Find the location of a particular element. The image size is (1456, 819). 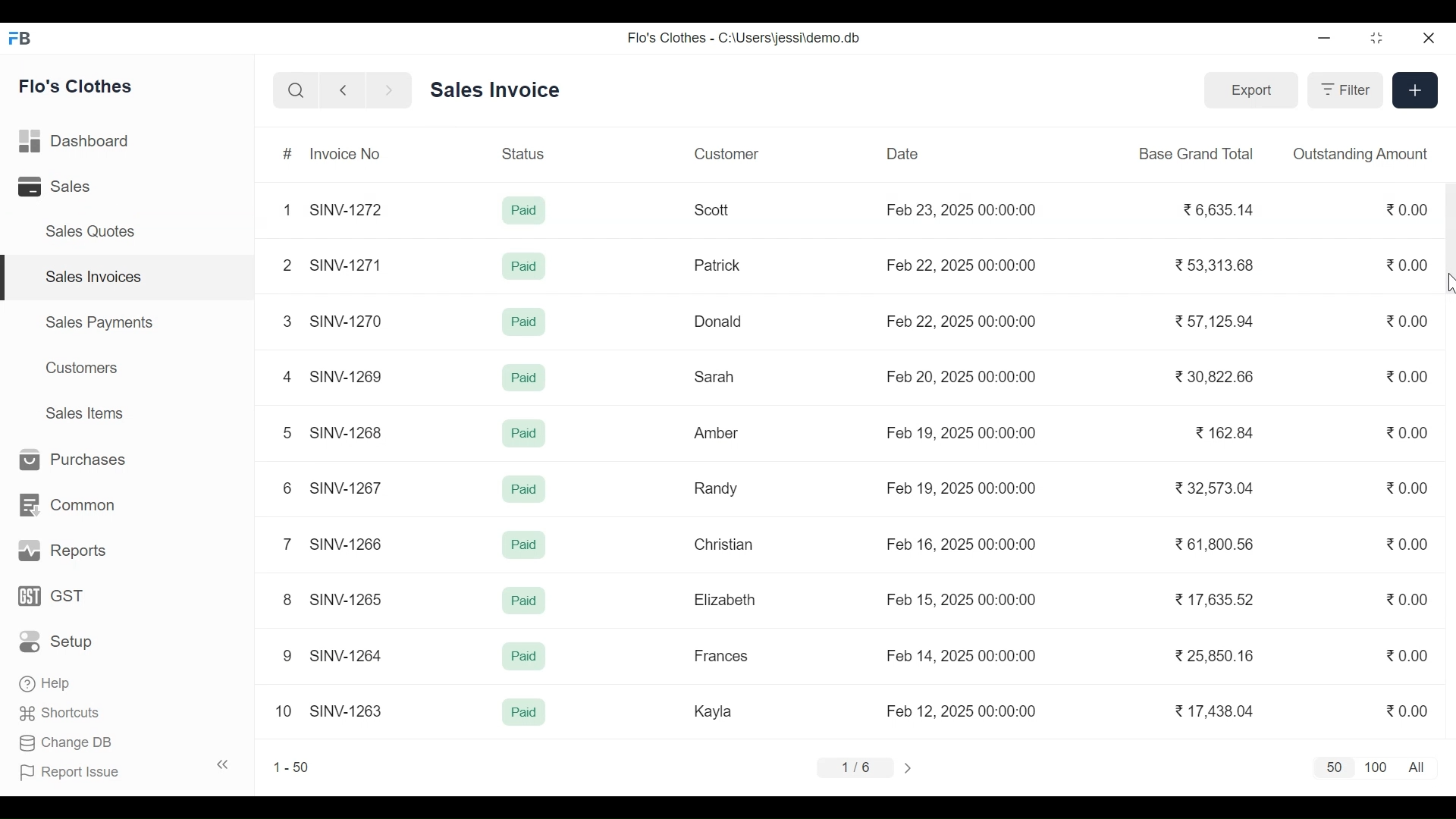

| Report Issue is located at coordinates (126, 770).